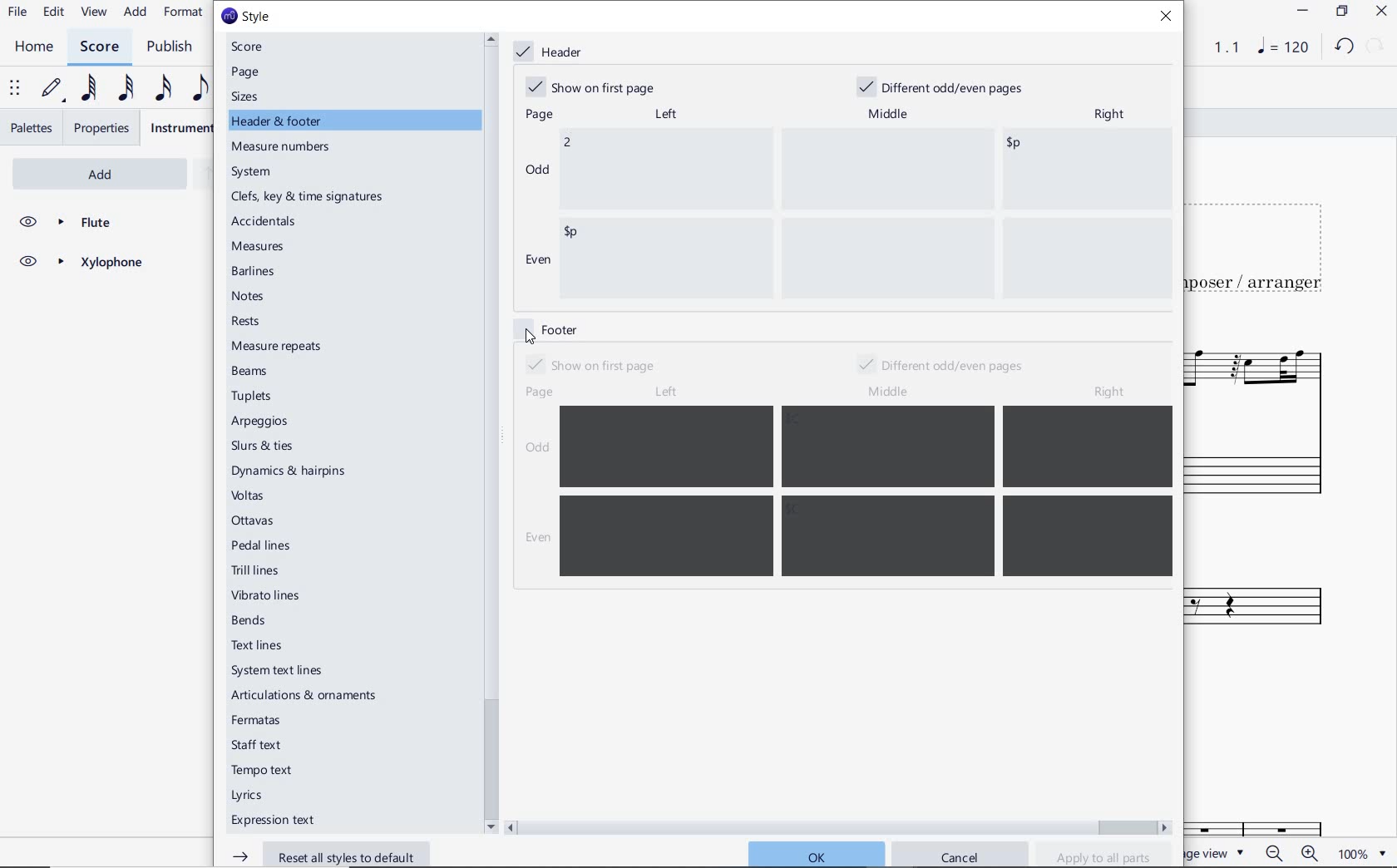 Image resolution: width=1397 pixels, height=868 pixels. I want to click on left, so click(665, 392).